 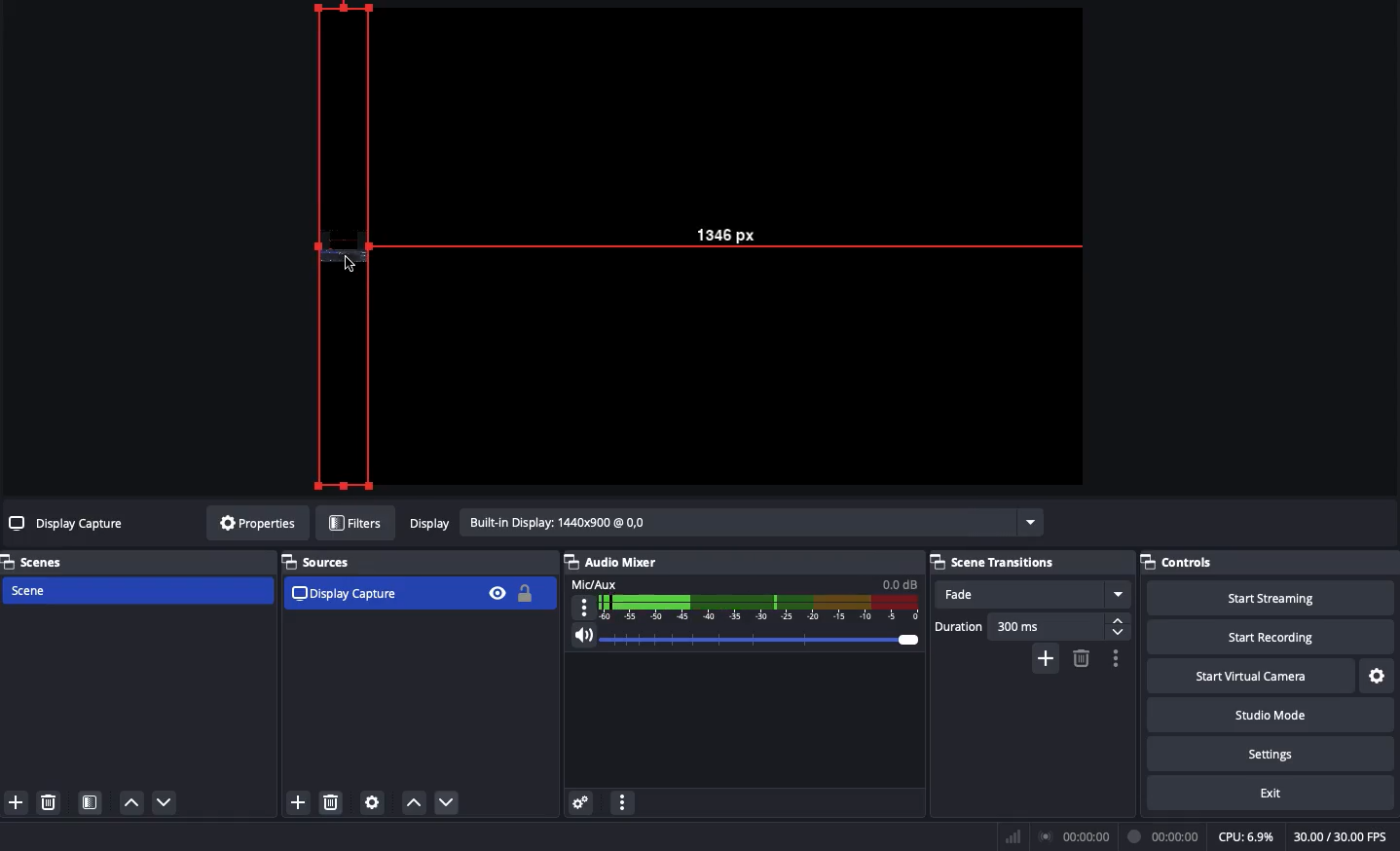 What do you see at coordinates (1273, 636) in the screenshot?
I see `Start recording` at bounding box center [1273, 636].